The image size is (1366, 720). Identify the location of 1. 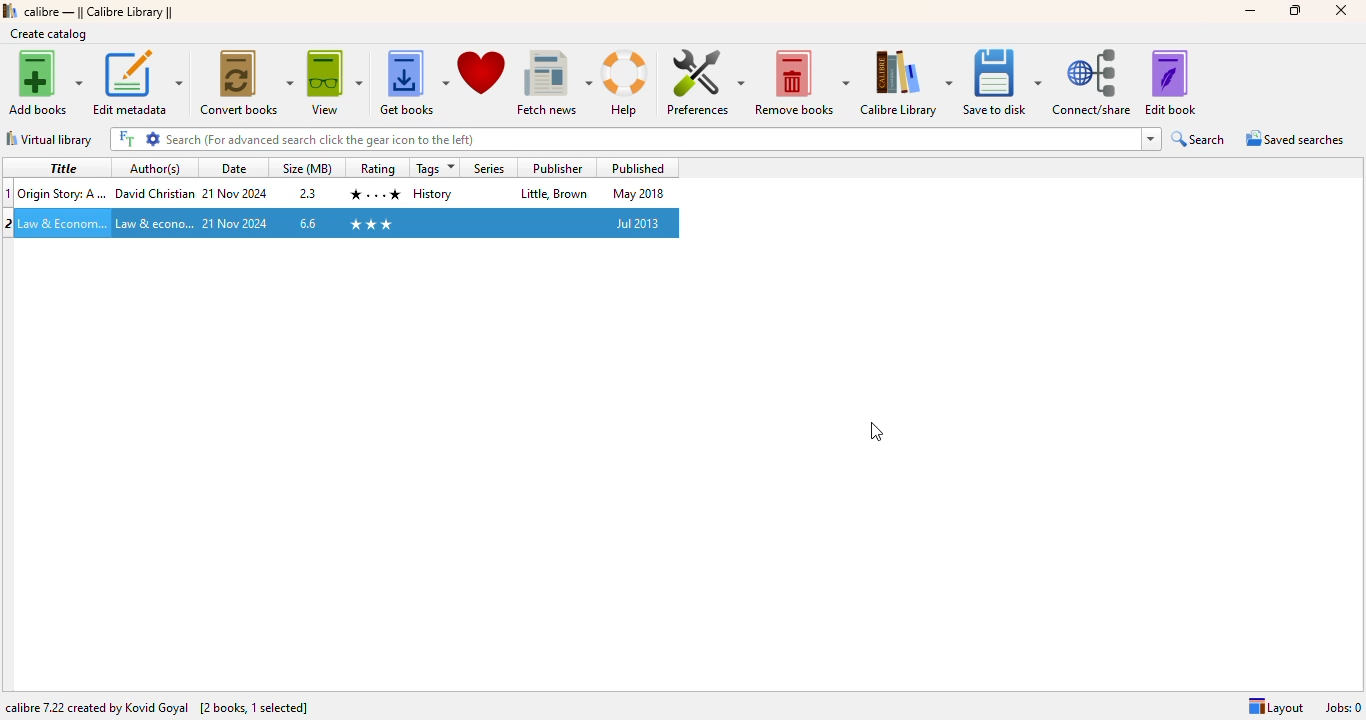
(9, 192).